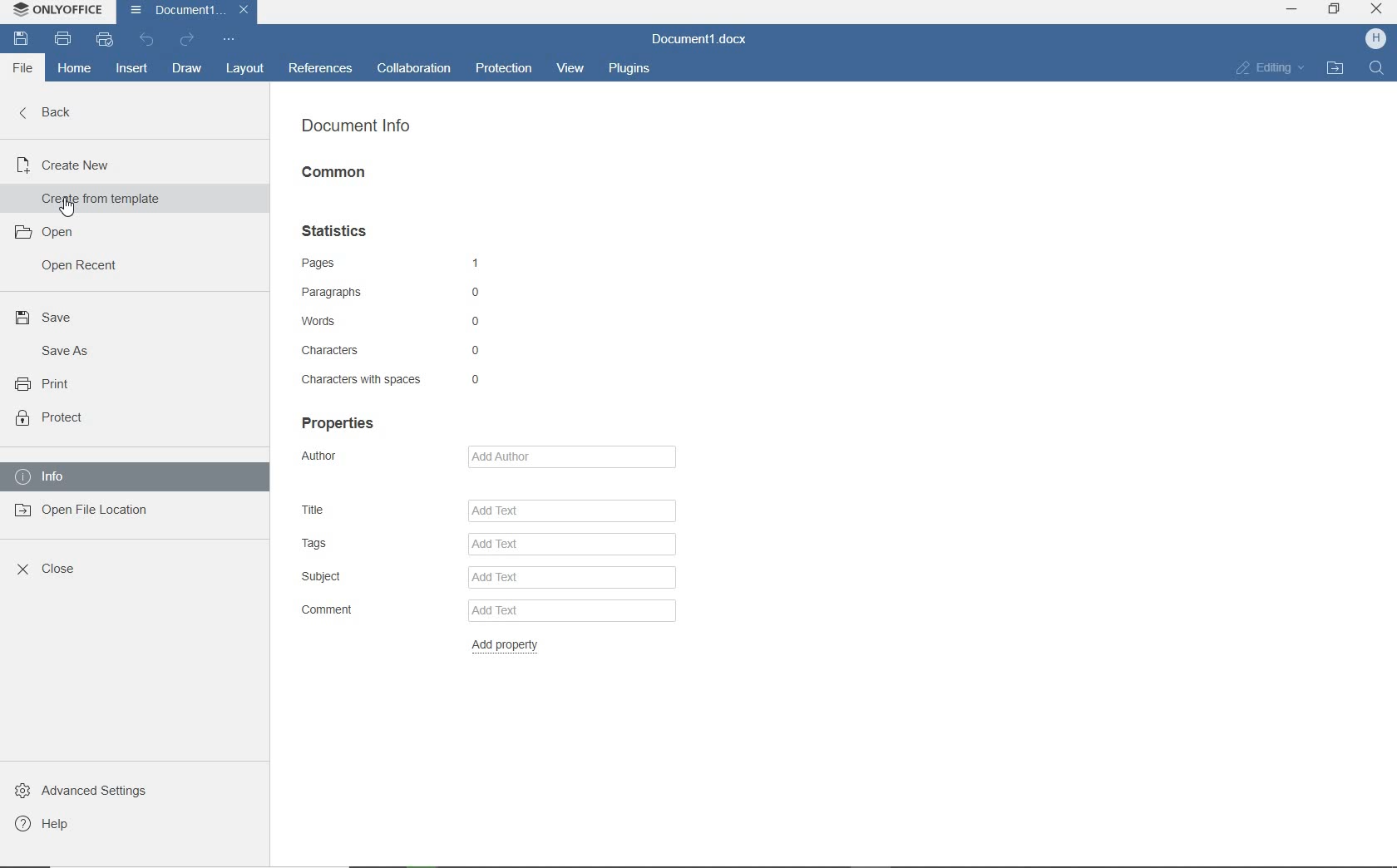 This screenshot has height=868, width=1397. What do you see at coordinates (512, 647) in the screenshot?
I see `add property` at bounding box center [512, 647].